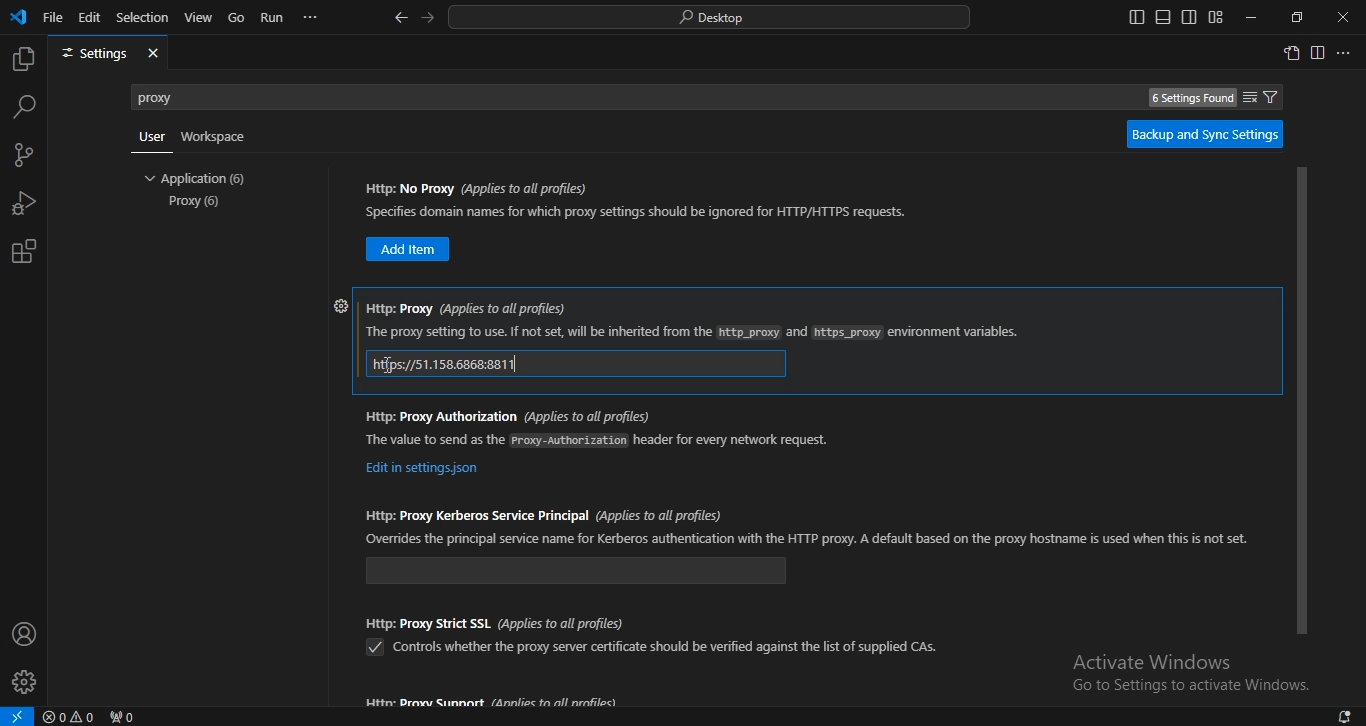  What do you see at coordinates (1189, 17) in the screenshot?
I see `toggle secondary side bar` at bounding box center [1189, 17].